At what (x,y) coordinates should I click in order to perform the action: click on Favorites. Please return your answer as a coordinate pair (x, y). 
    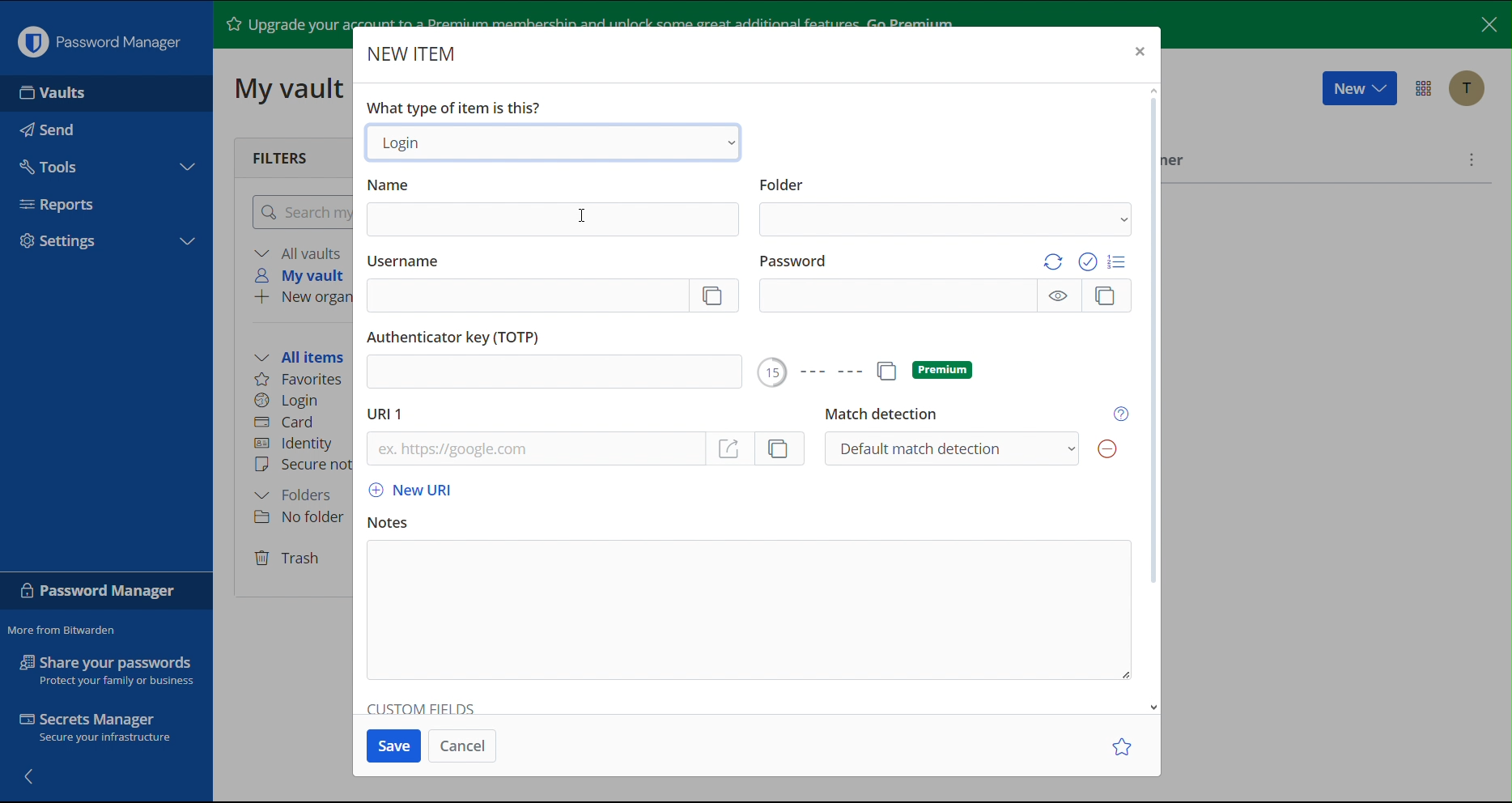
    Looking at the image, I should click on (298, 381).